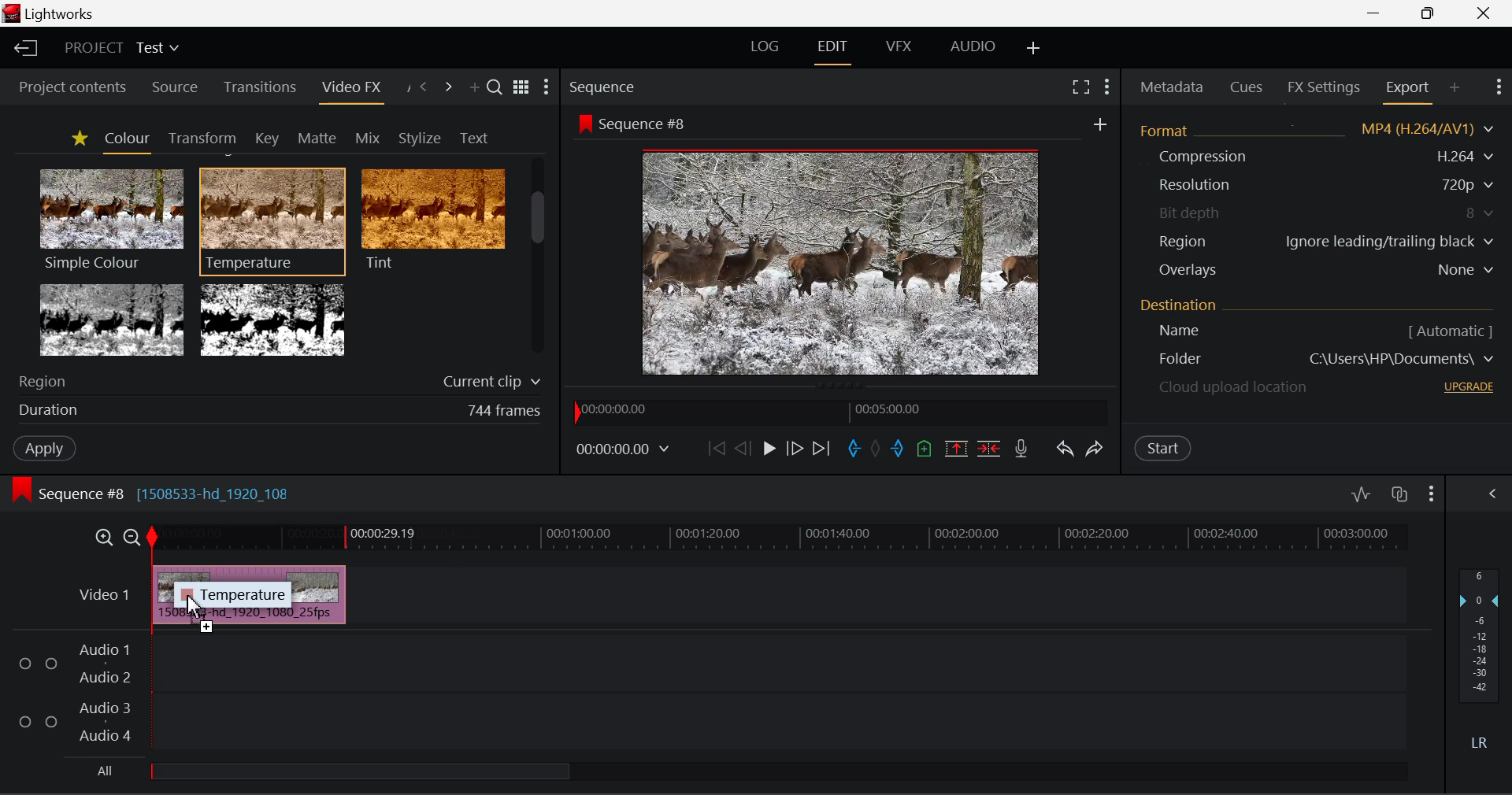 Image resolution: width=1512 pixels, height=795 pixels. I want to click on Project contents, so click(65, 89).